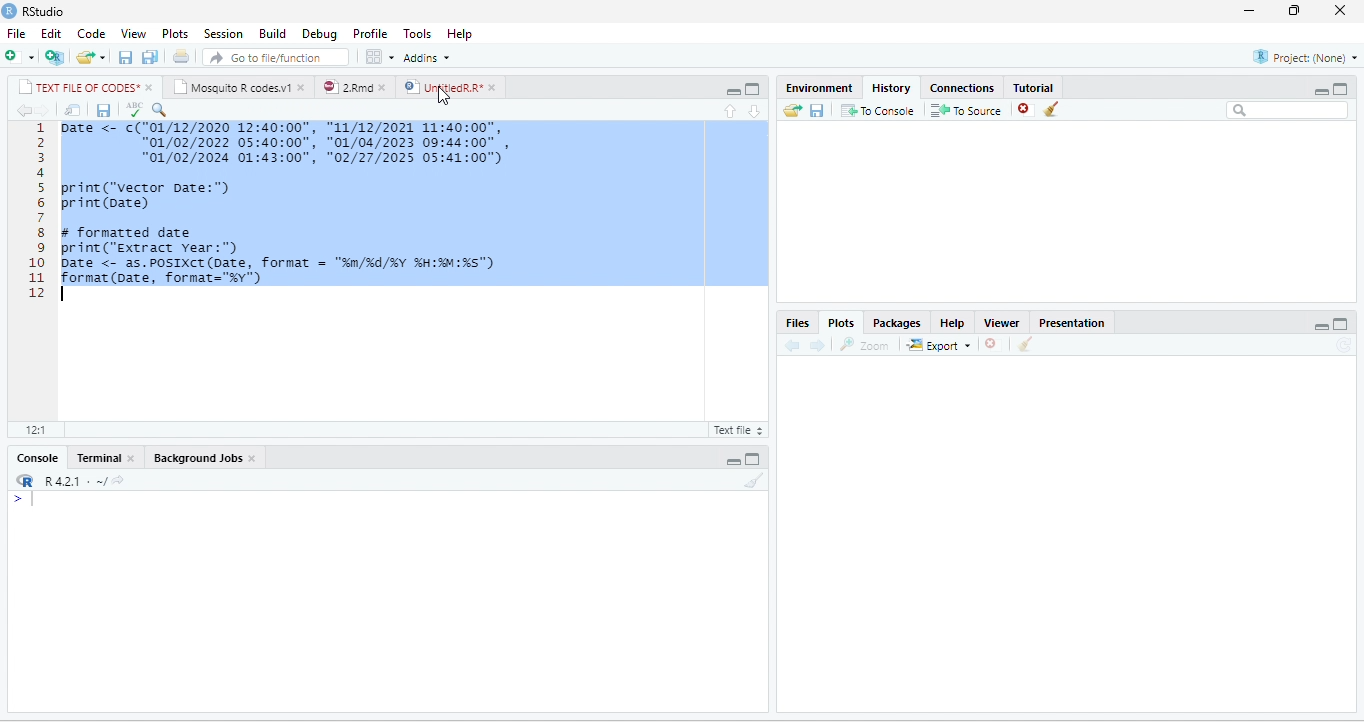 Image resolution: width=1364 pixels, height=722 pixels. I want to click on close file, so click(996, 344).